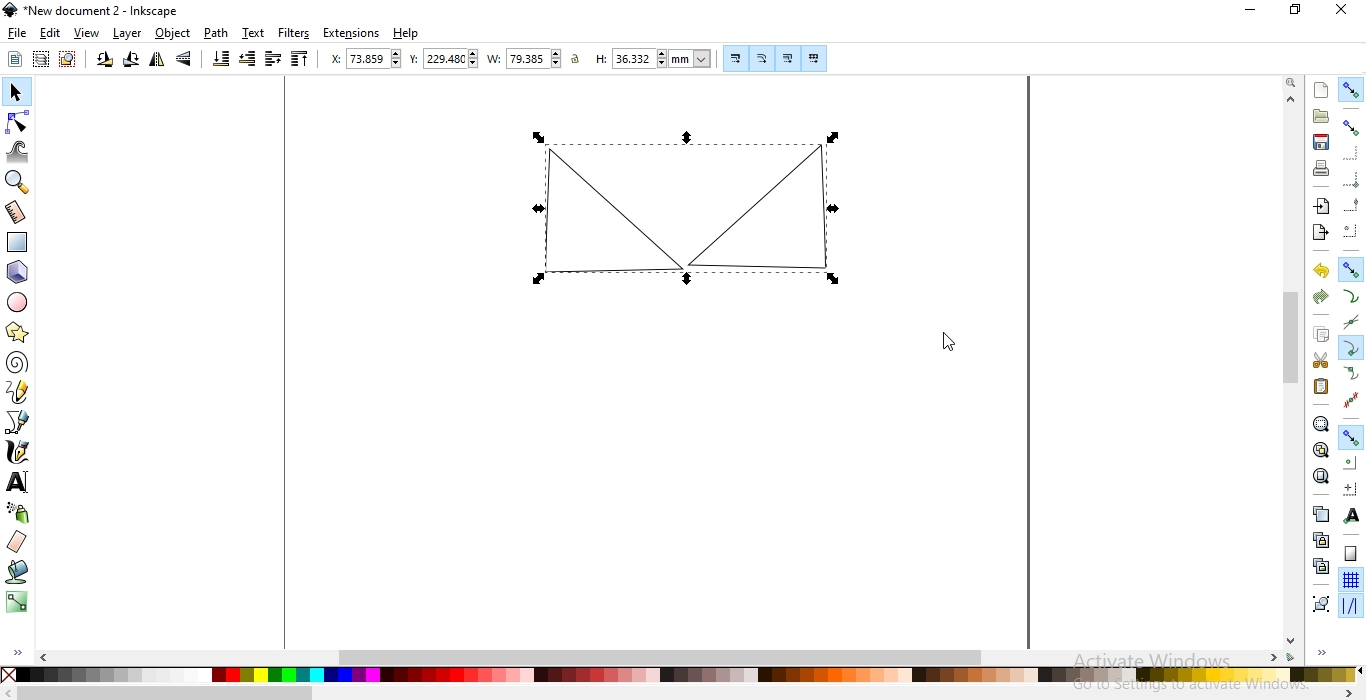 The image size is (1366, 700). Describe the element at coordinates (442, 59) in the screenshot. I see `vertical coordinate of selection` at that location.